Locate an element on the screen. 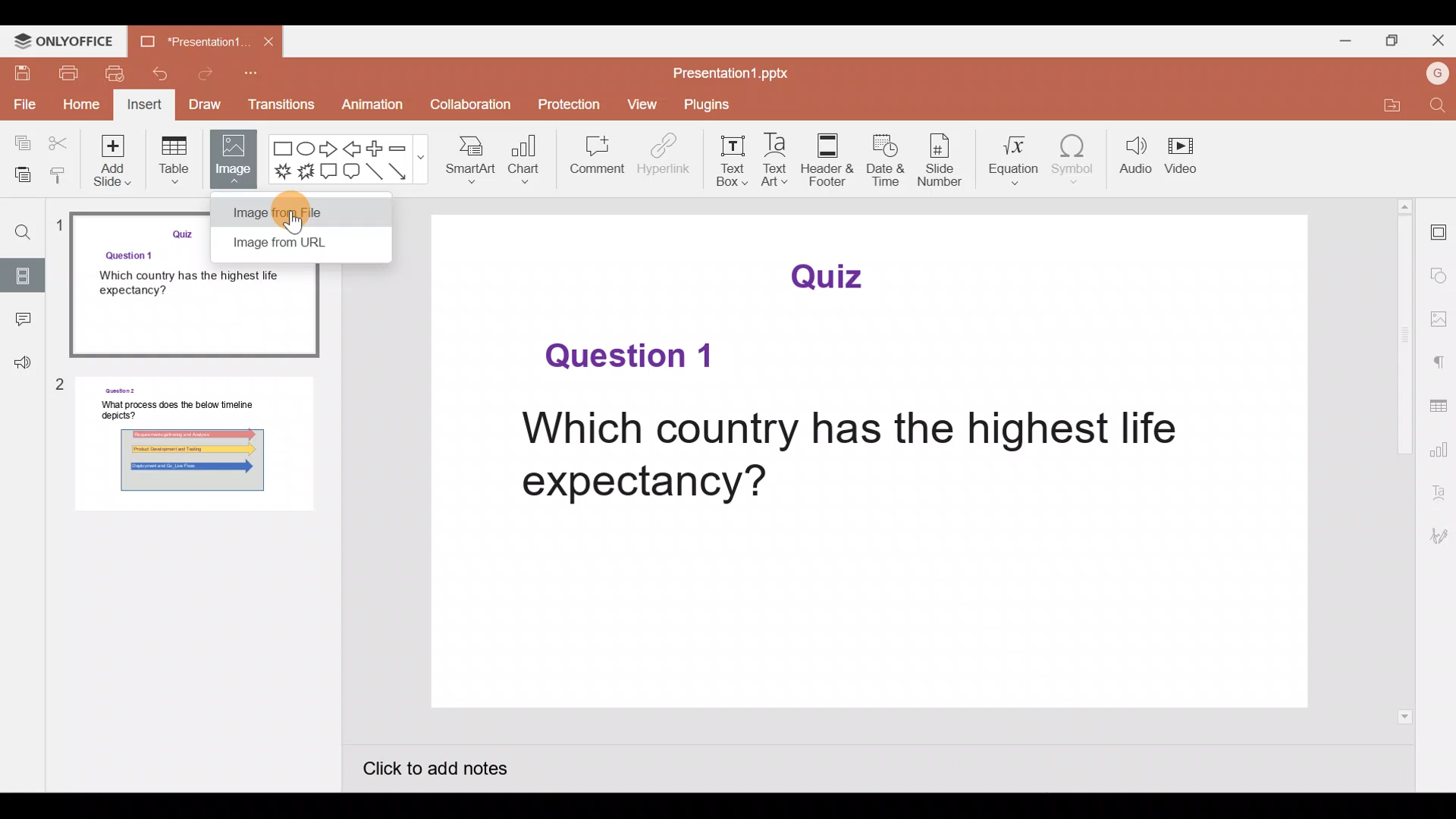 Image resolution: width=1456 pixels, height=819 pixels. Save is located at coordinates (24, 76).